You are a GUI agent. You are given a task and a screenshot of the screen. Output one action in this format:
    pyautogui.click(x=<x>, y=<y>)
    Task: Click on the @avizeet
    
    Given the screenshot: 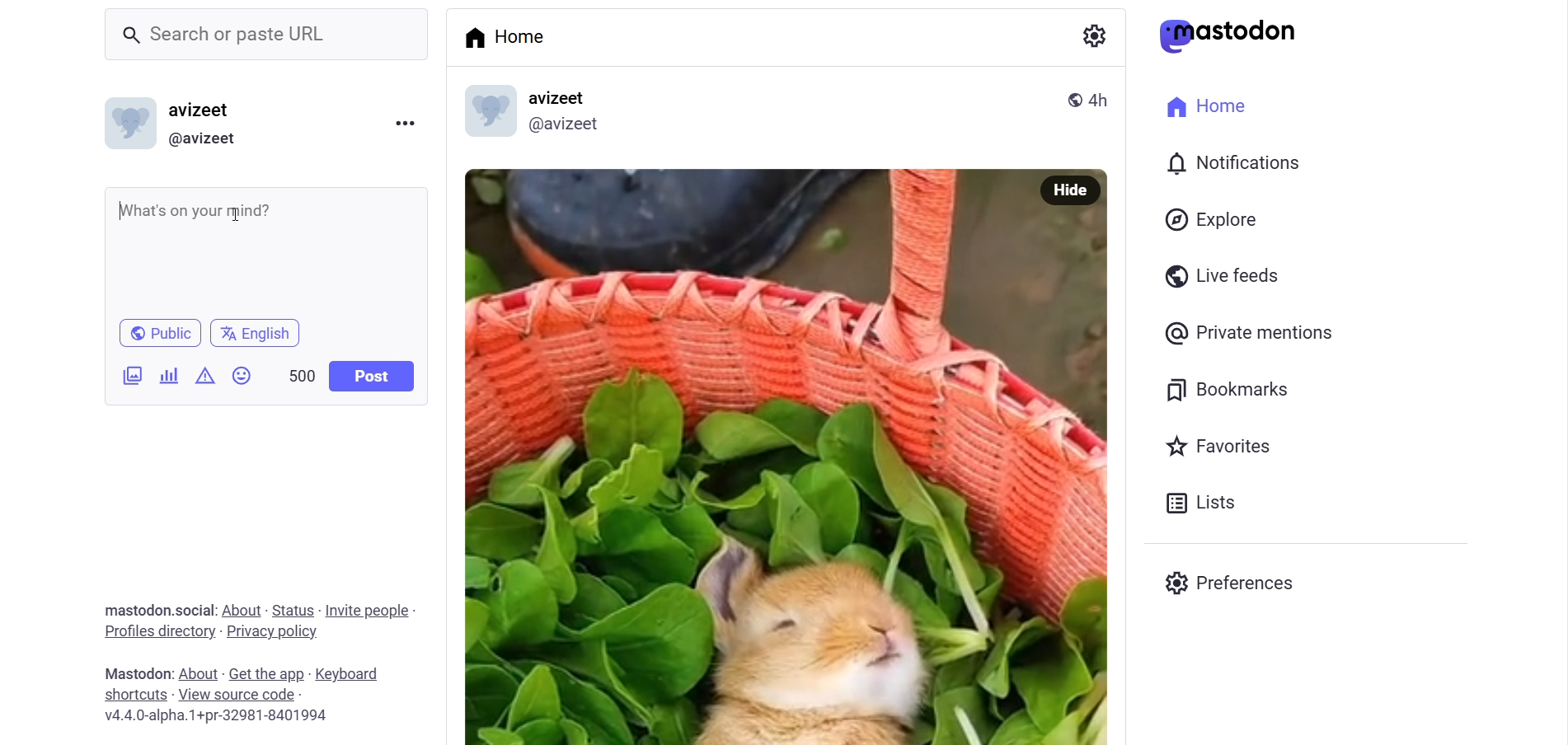 What is the action you would take?
    pyautogui.click(x=212, y=141)
    